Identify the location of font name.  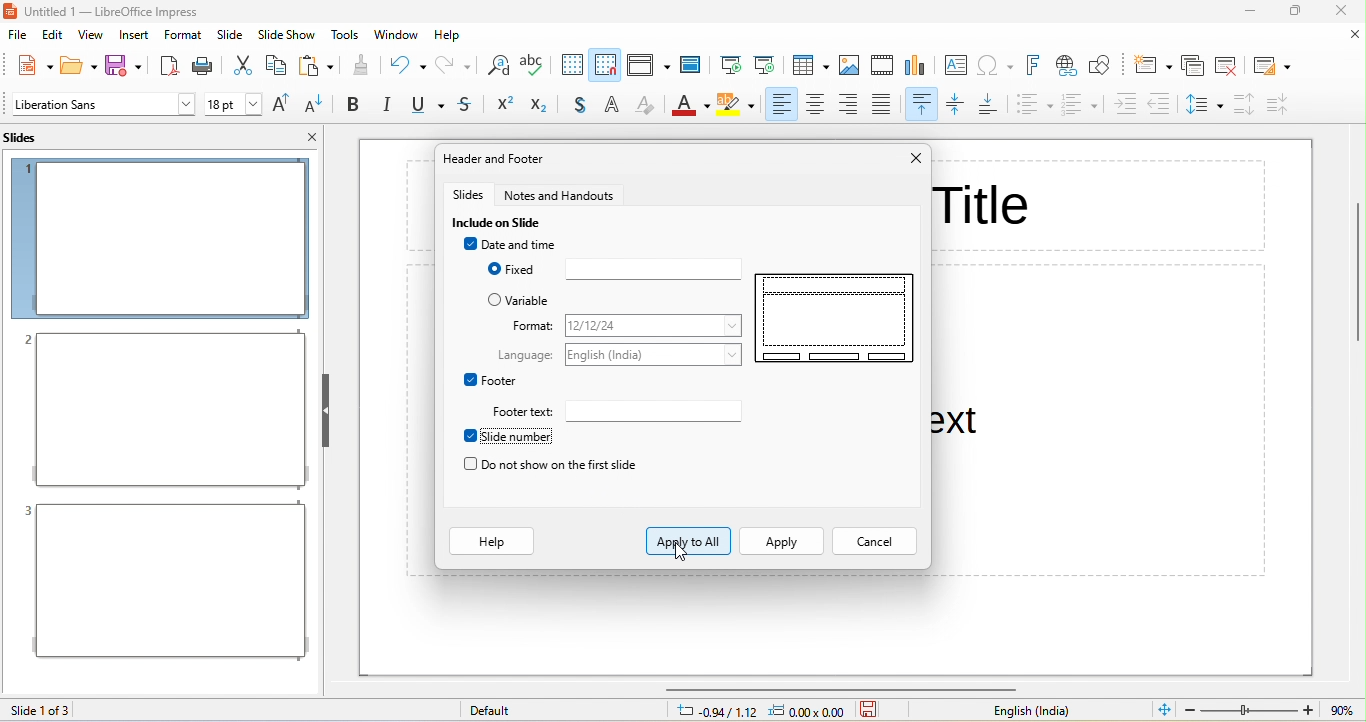
(103, 104).